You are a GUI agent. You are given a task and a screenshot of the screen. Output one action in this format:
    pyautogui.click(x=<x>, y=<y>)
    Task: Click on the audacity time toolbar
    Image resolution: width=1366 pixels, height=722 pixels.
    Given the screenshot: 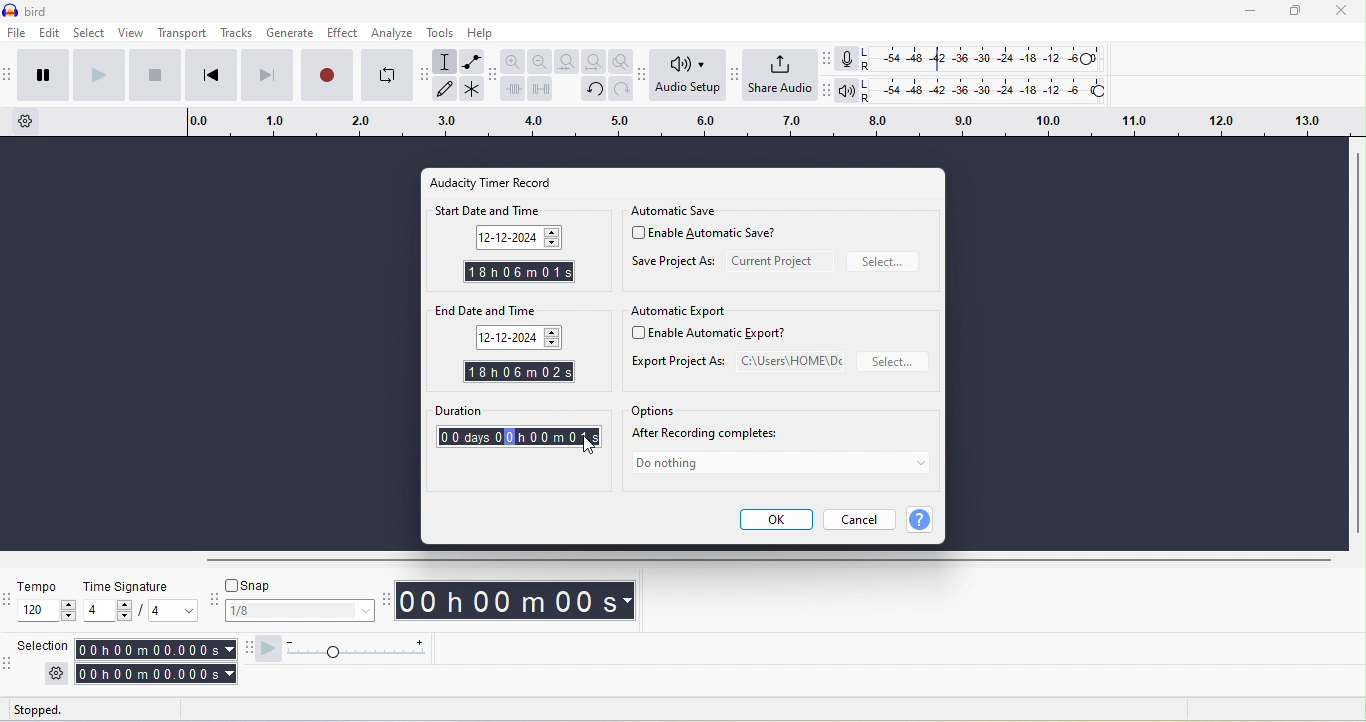 What is the action you would take?
    pyautogui.click(x=387, y=599)
    